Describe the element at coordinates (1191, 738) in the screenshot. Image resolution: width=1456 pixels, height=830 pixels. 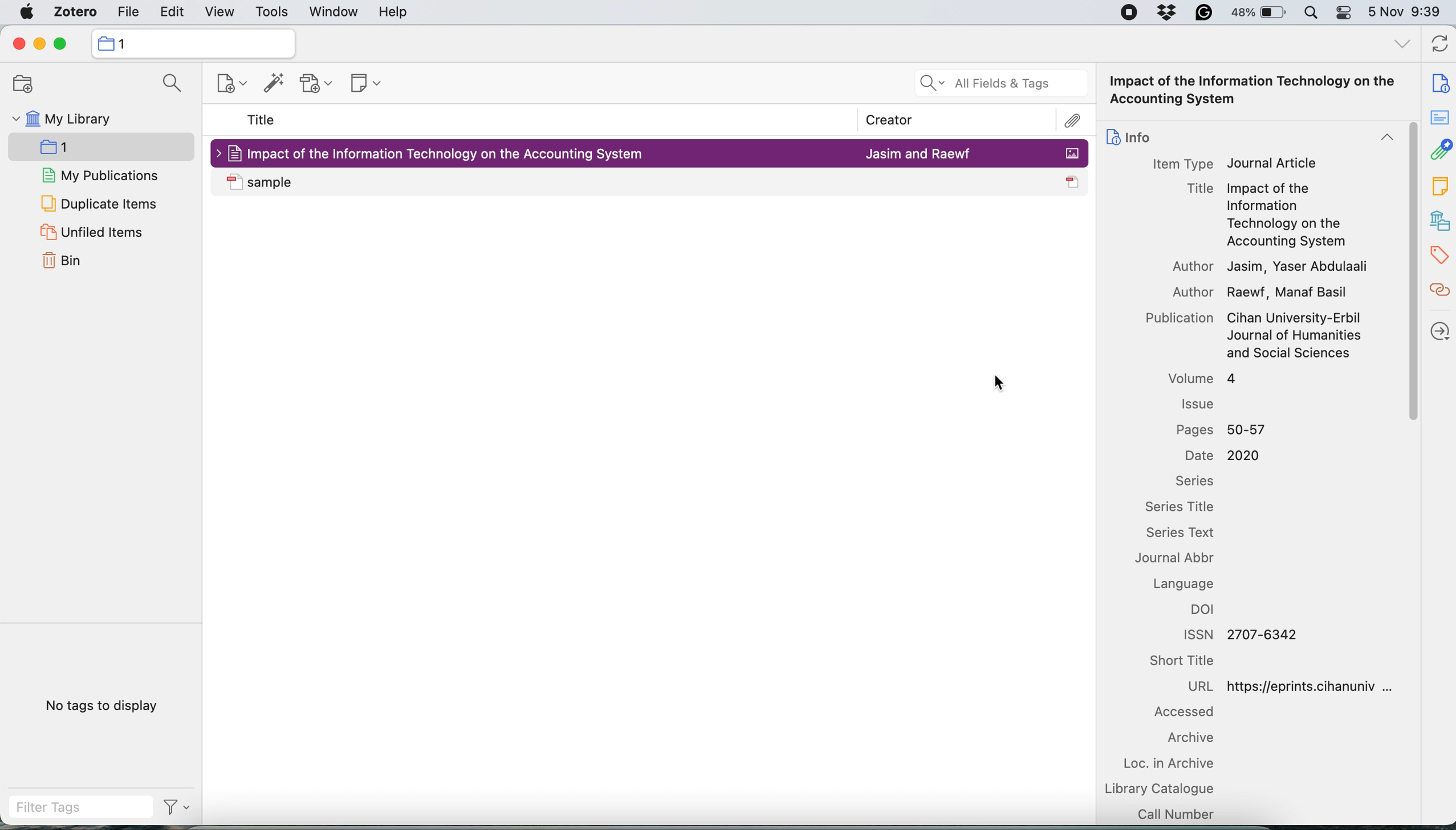
I see `archive` at that location.